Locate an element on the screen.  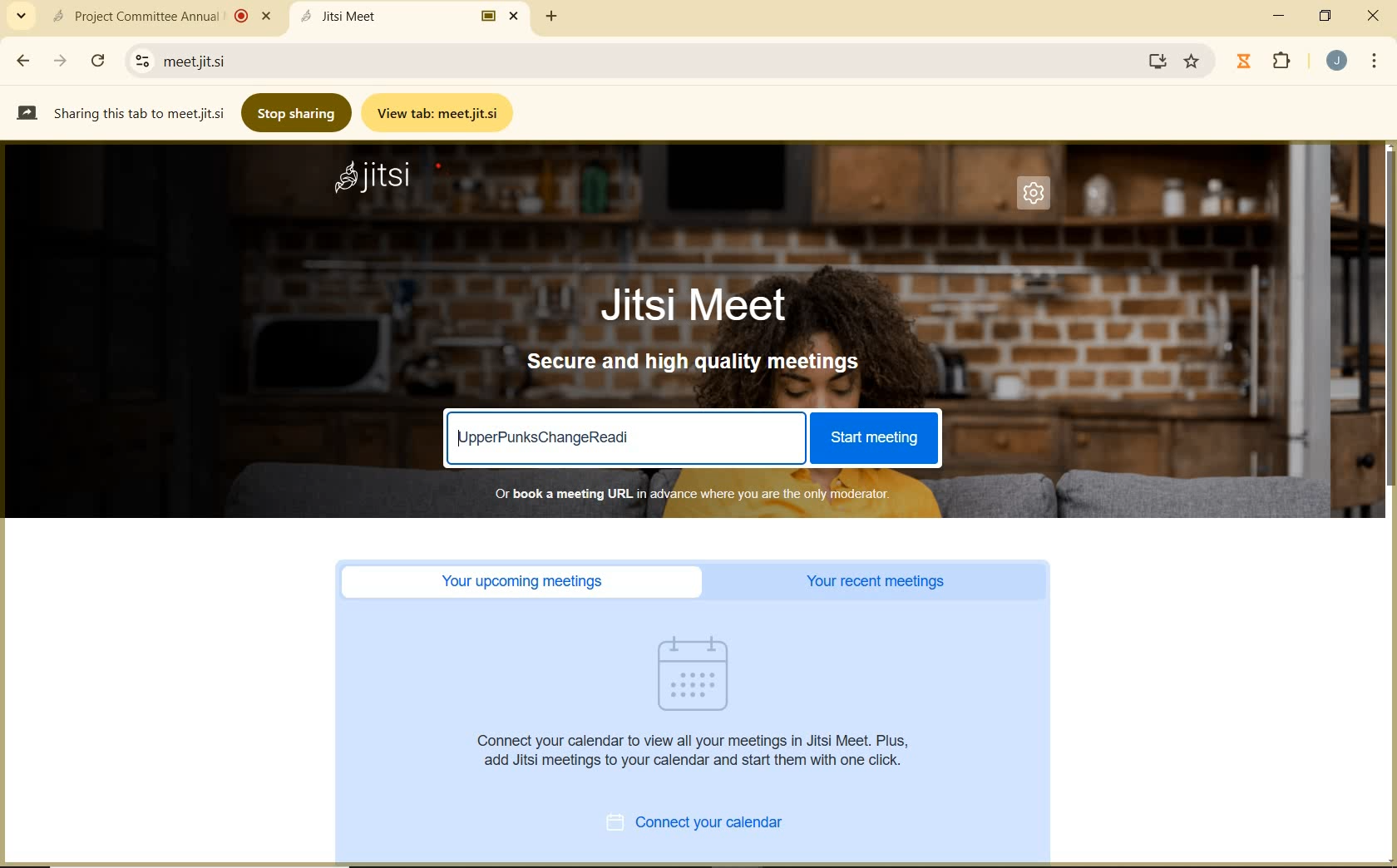
VIEW TAB: MEET.JIT.SI is located at coordinates (441, 112).